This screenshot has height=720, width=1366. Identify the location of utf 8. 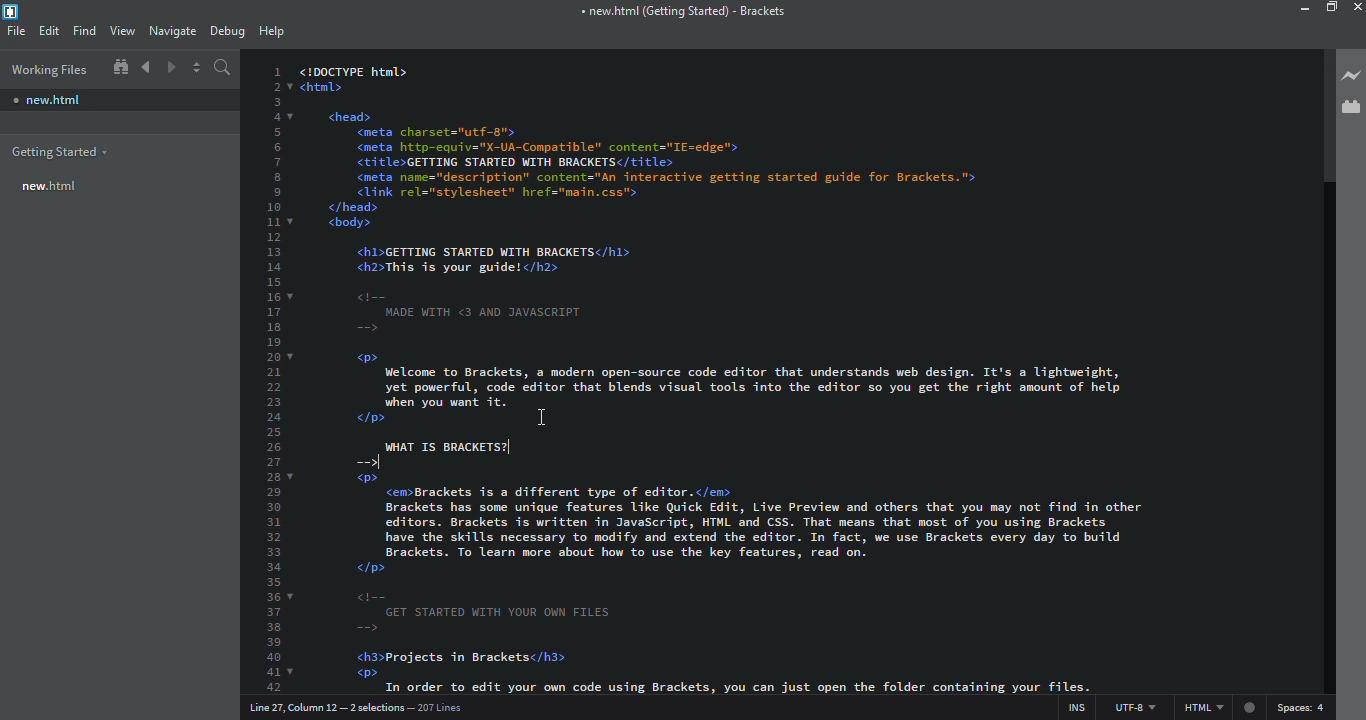
(1134, 704).